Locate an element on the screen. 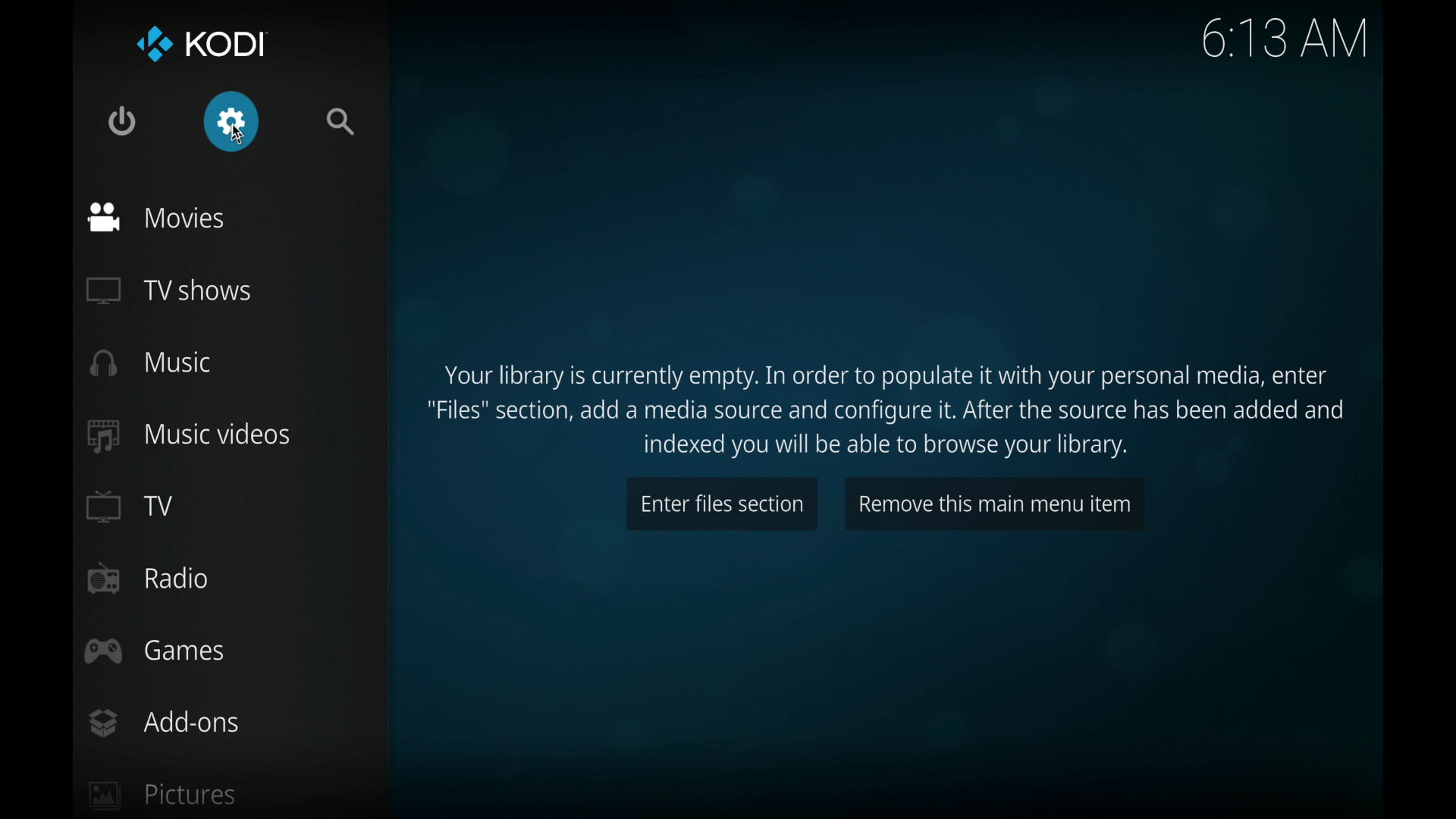 Image resolution: width=1456 pixels, height=819 pixels. pictures is located at coordinates (162, 794).